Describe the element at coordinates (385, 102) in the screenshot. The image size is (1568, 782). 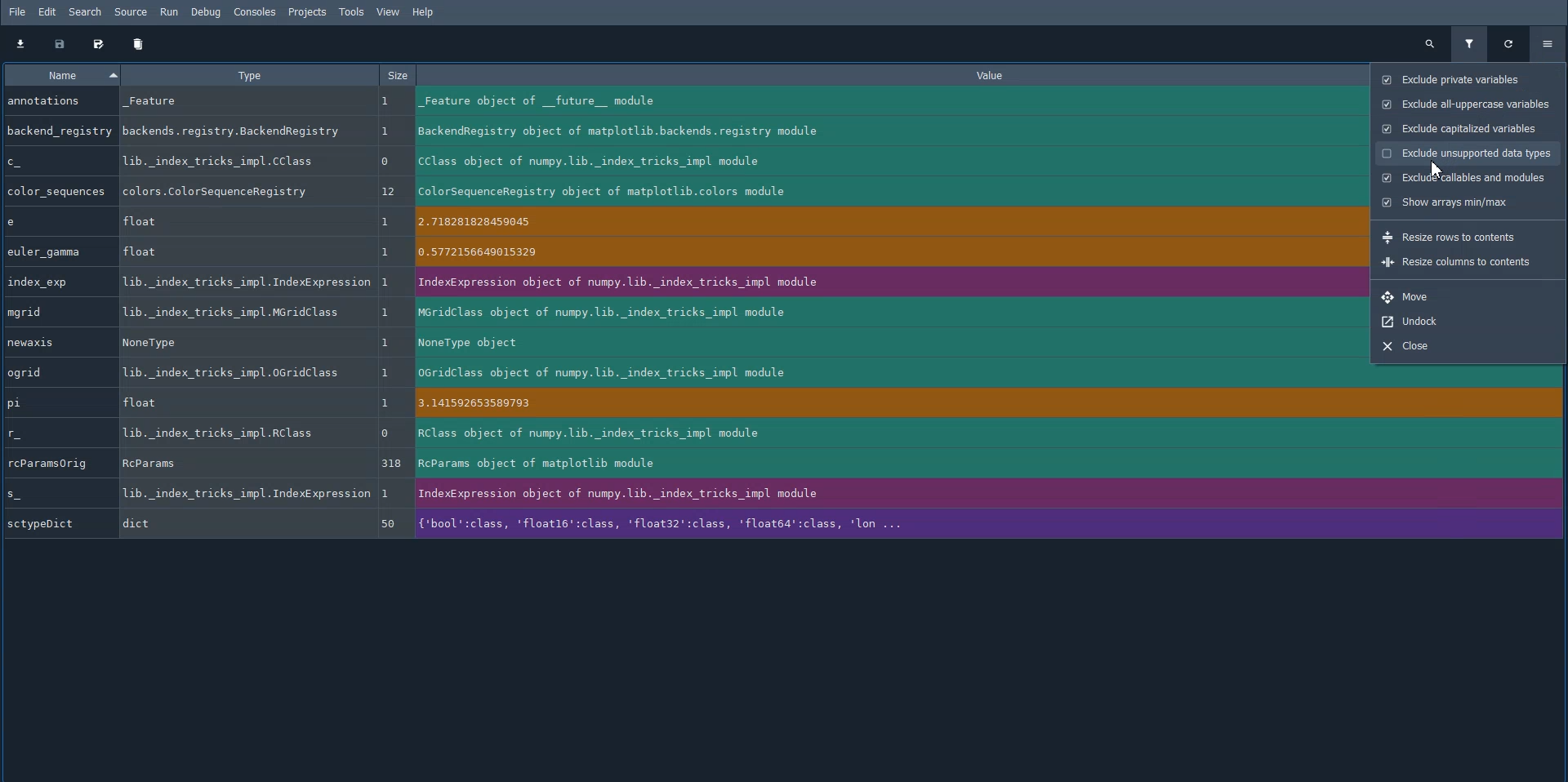
I see `1` at that location.